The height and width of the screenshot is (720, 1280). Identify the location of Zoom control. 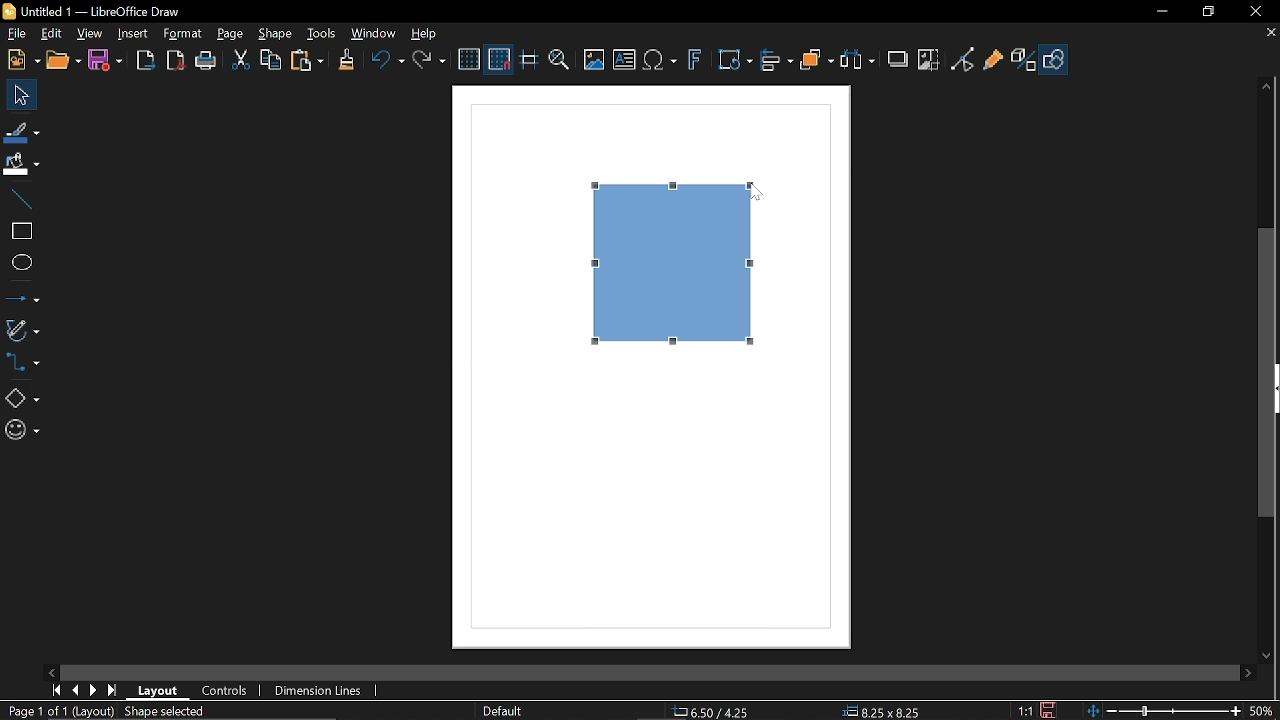
(1160, 711).